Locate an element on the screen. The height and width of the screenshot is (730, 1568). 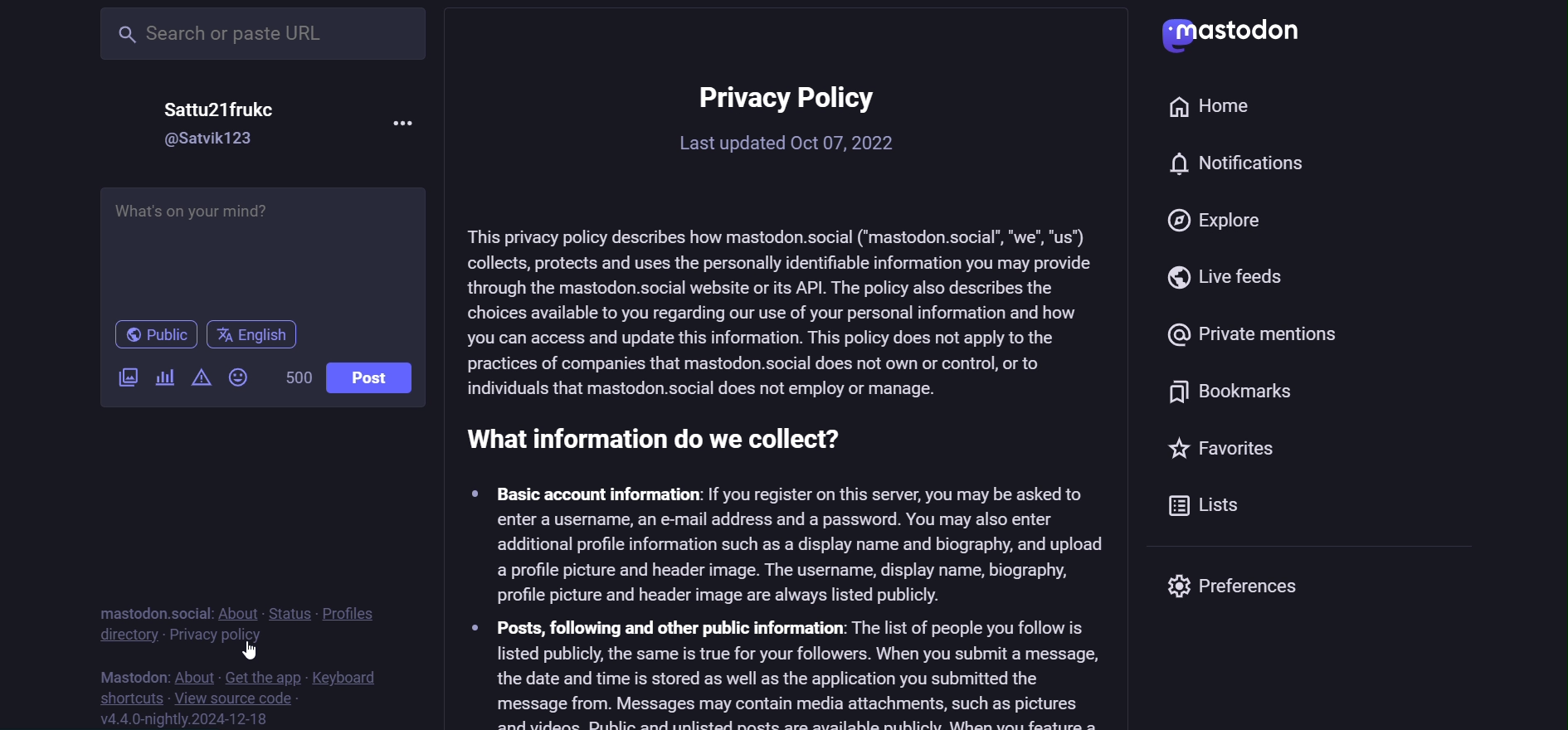
@satvik123 is located at coordinates (205, 139).